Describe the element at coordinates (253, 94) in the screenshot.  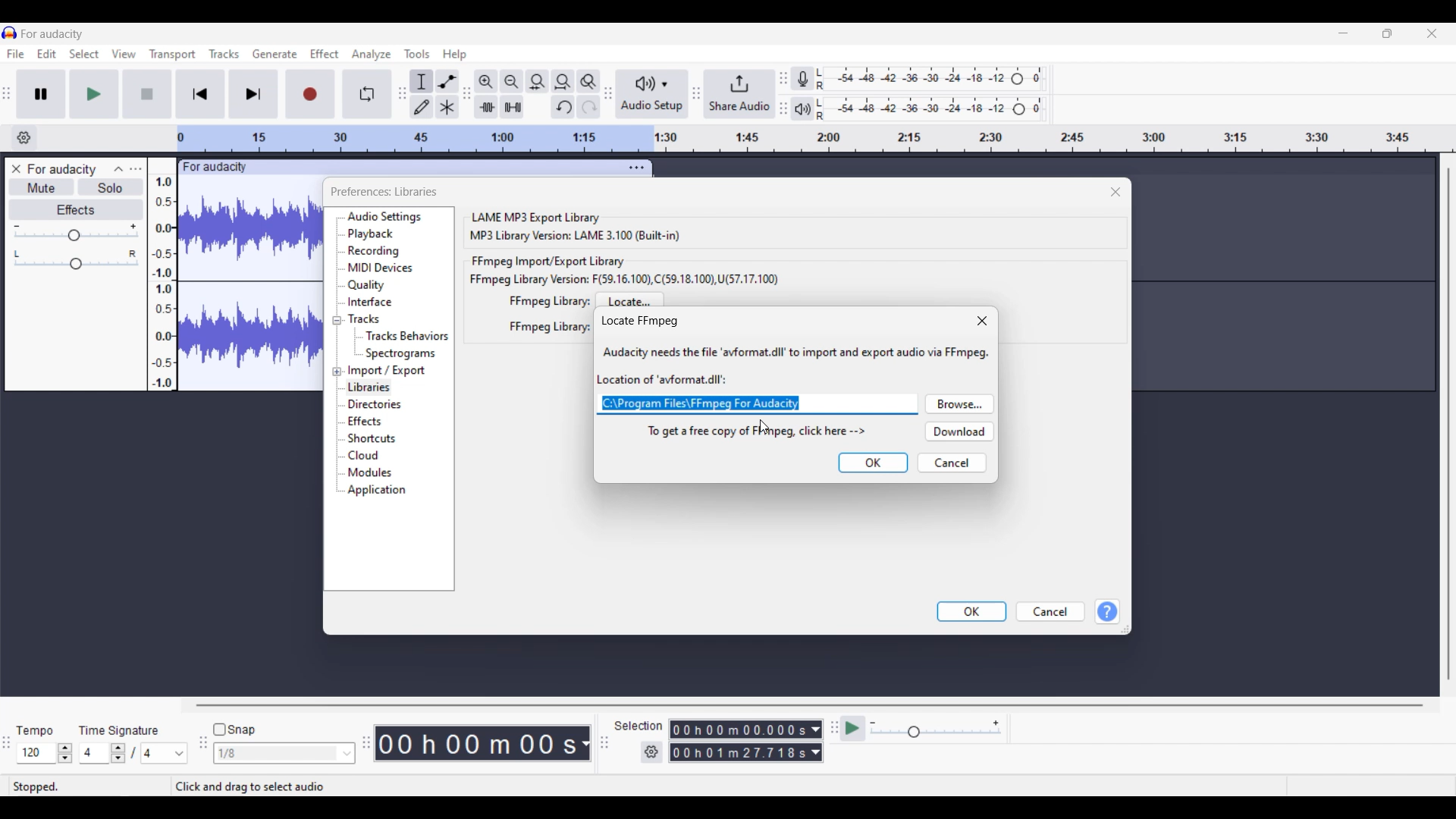
I see `Skip/Select to end` at that location.